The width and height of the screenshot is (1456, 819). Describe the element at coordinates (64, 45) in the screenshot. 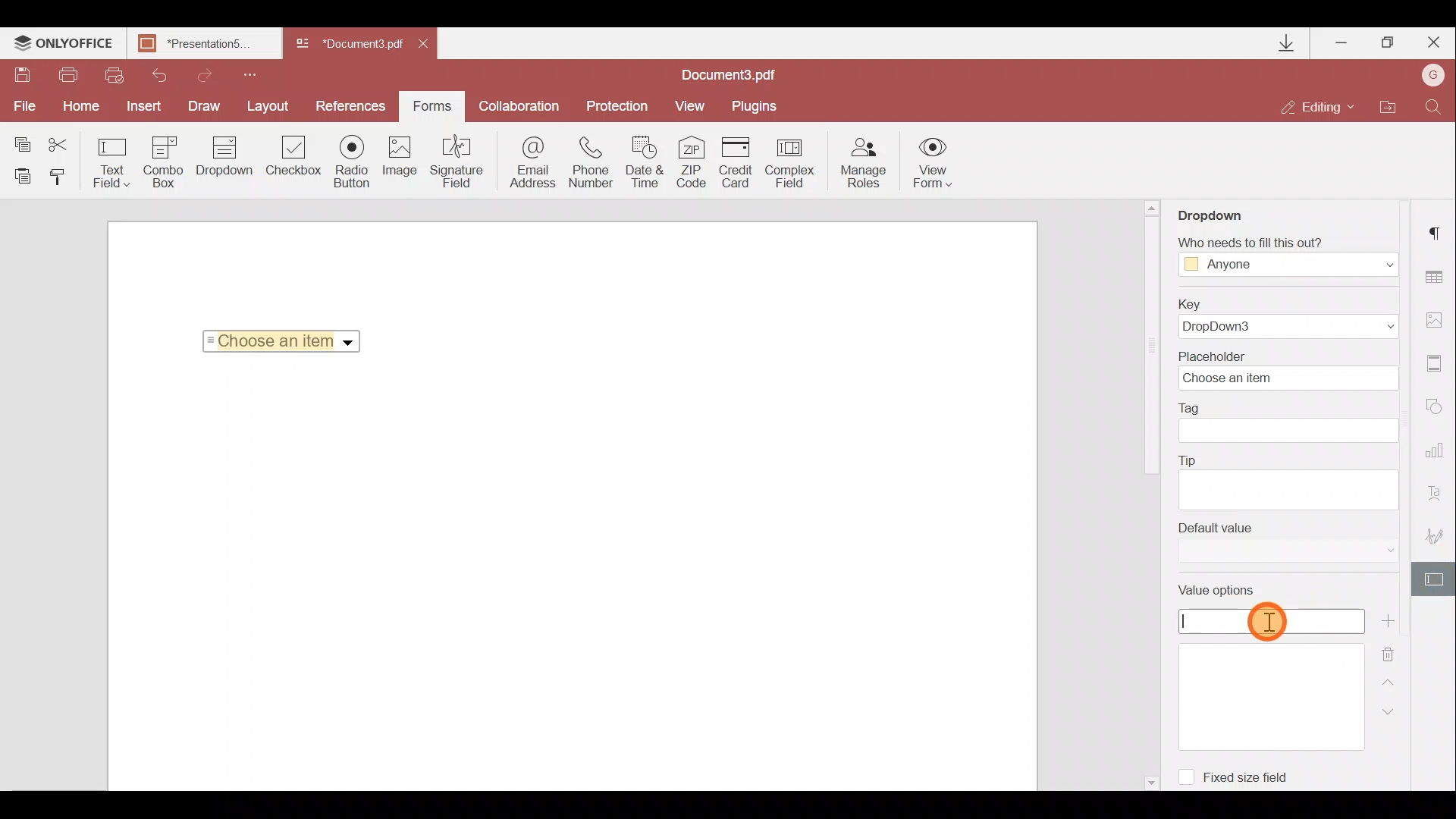

I see `ONLYOFFICE` at that location.